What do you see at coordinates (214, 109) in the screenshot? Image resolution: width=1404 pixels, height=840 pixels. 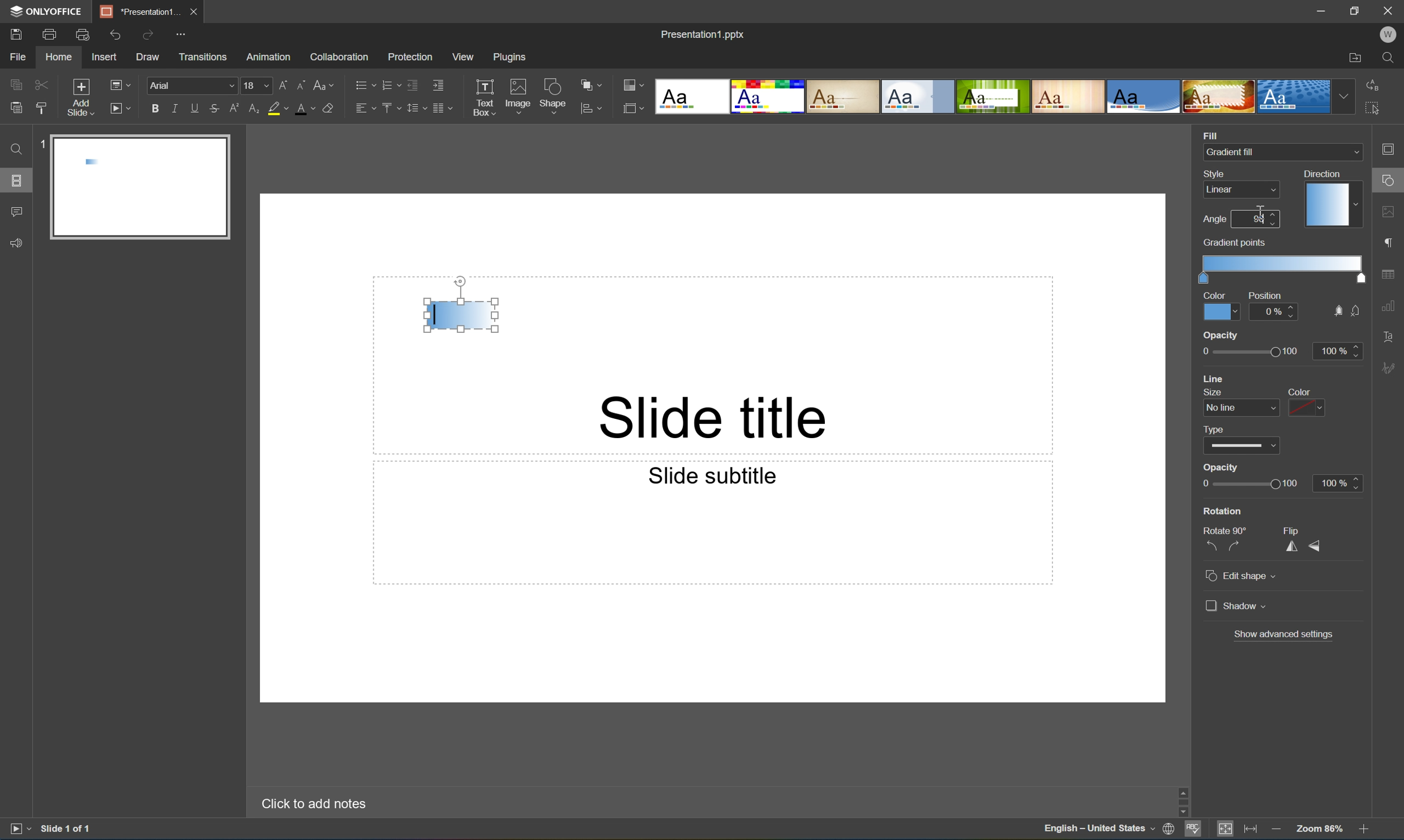 I see `Strikethrough` at bounding box center [214, 109].